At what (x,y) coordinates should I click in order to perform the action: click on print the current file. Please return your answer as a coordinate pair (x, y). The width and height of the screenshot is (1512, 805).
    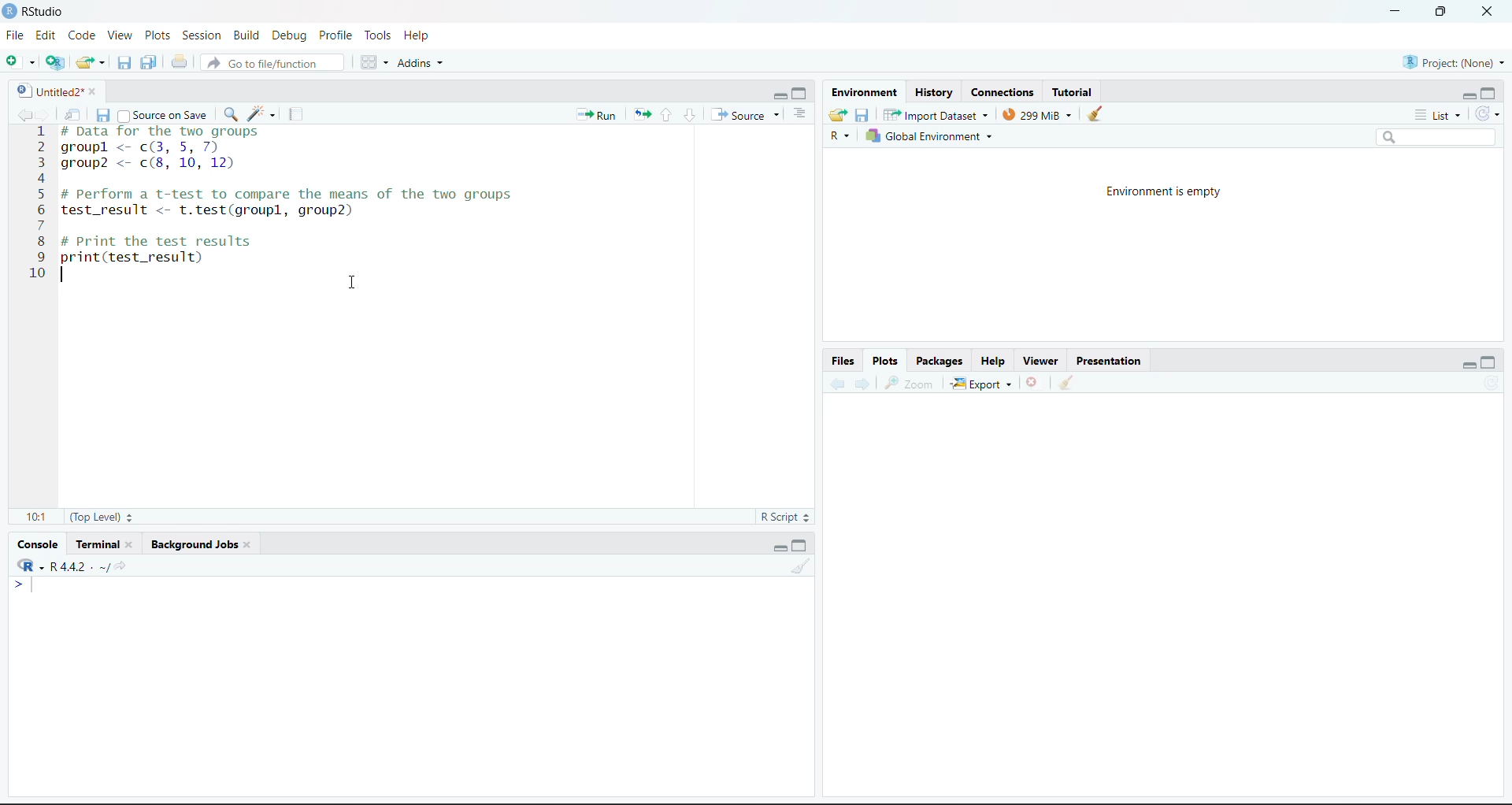
    Looking at the image, I should click on (180, 62).